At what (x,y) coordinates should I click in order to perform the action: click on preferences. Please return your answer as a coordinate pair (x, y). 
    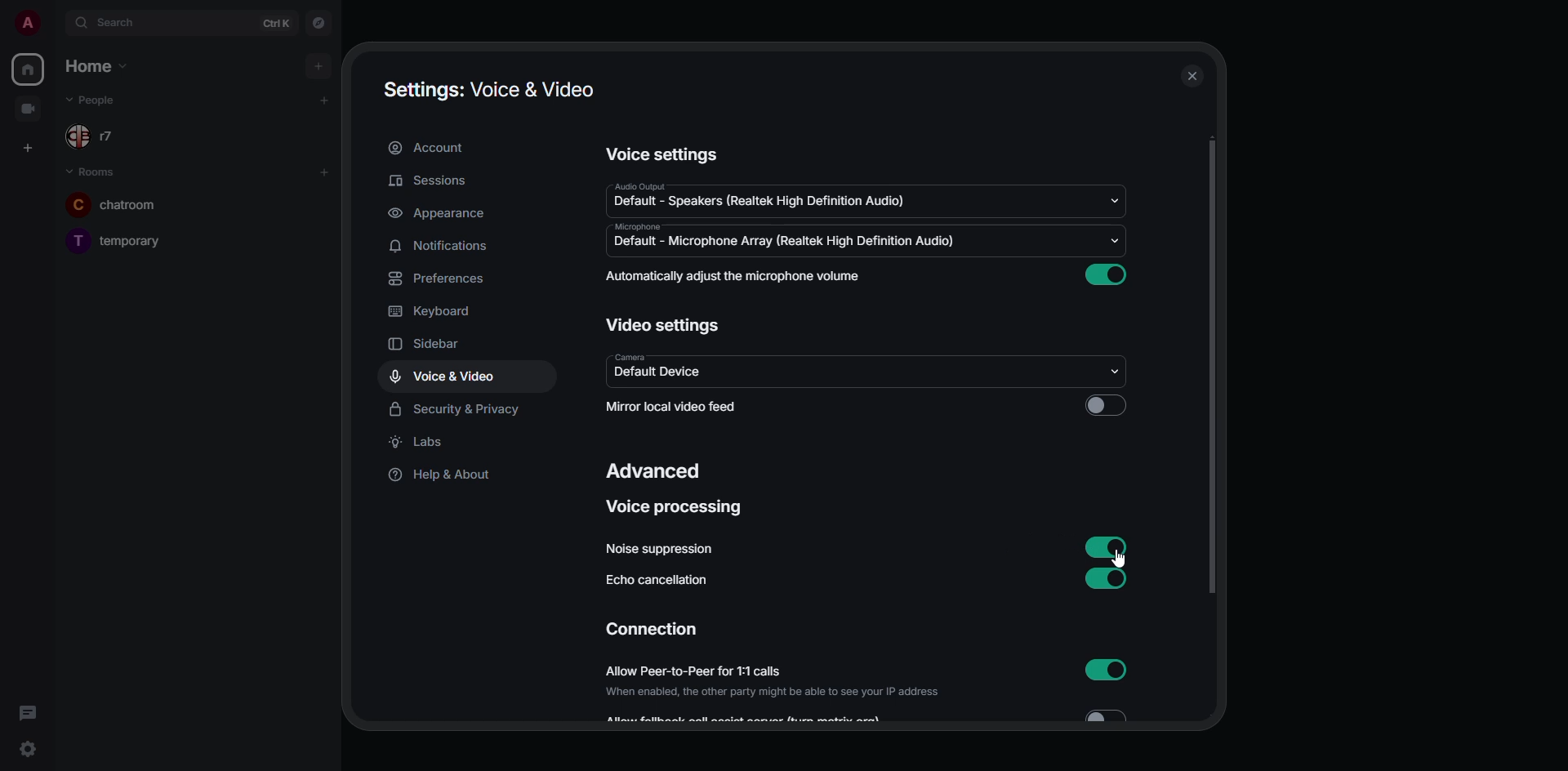
    Looking at the image, I should click on (442, 279).